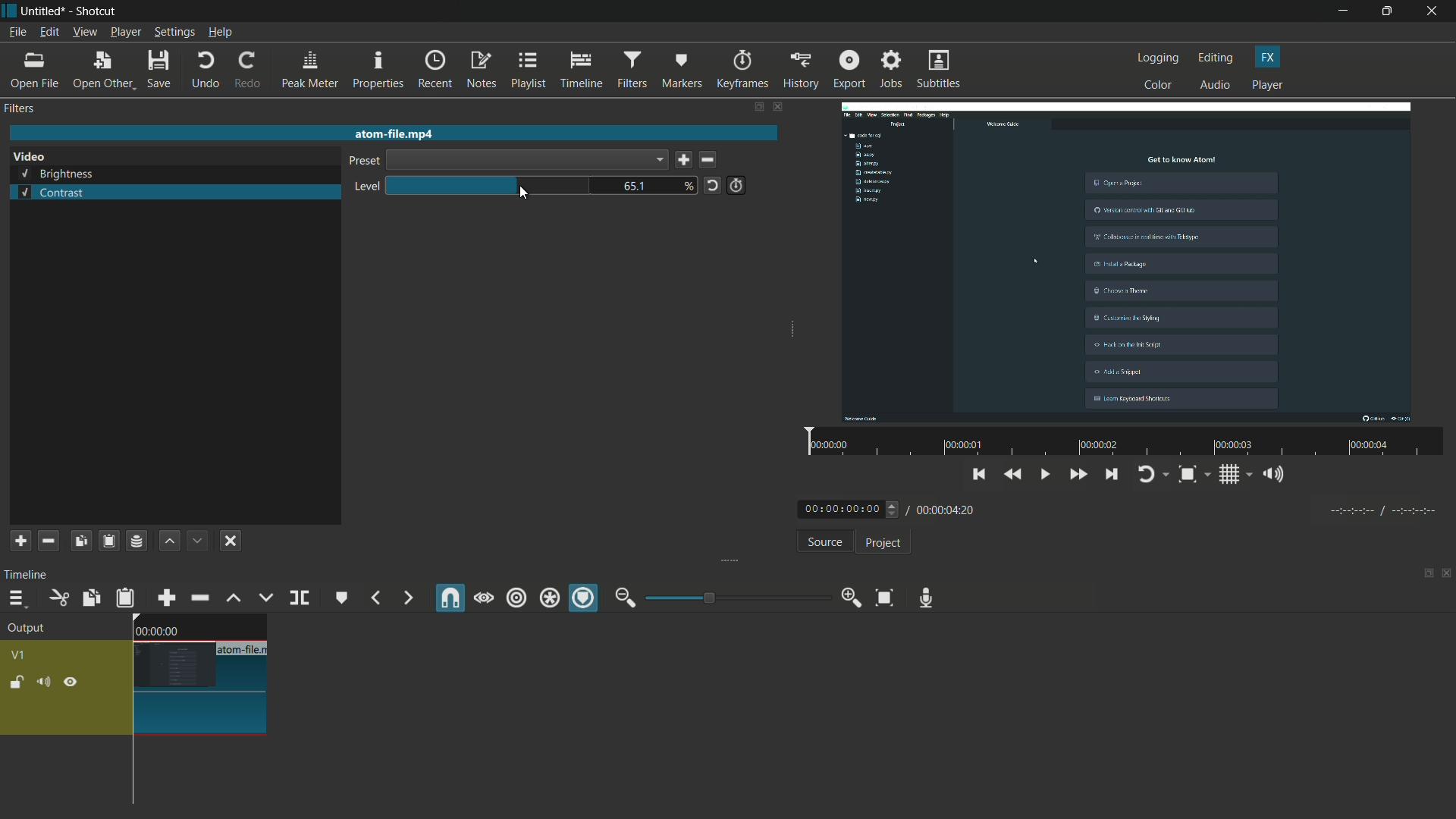 The width and height of the screenshot is (1456, 819). I want to click on skip to the previous point, so click(979, 472).